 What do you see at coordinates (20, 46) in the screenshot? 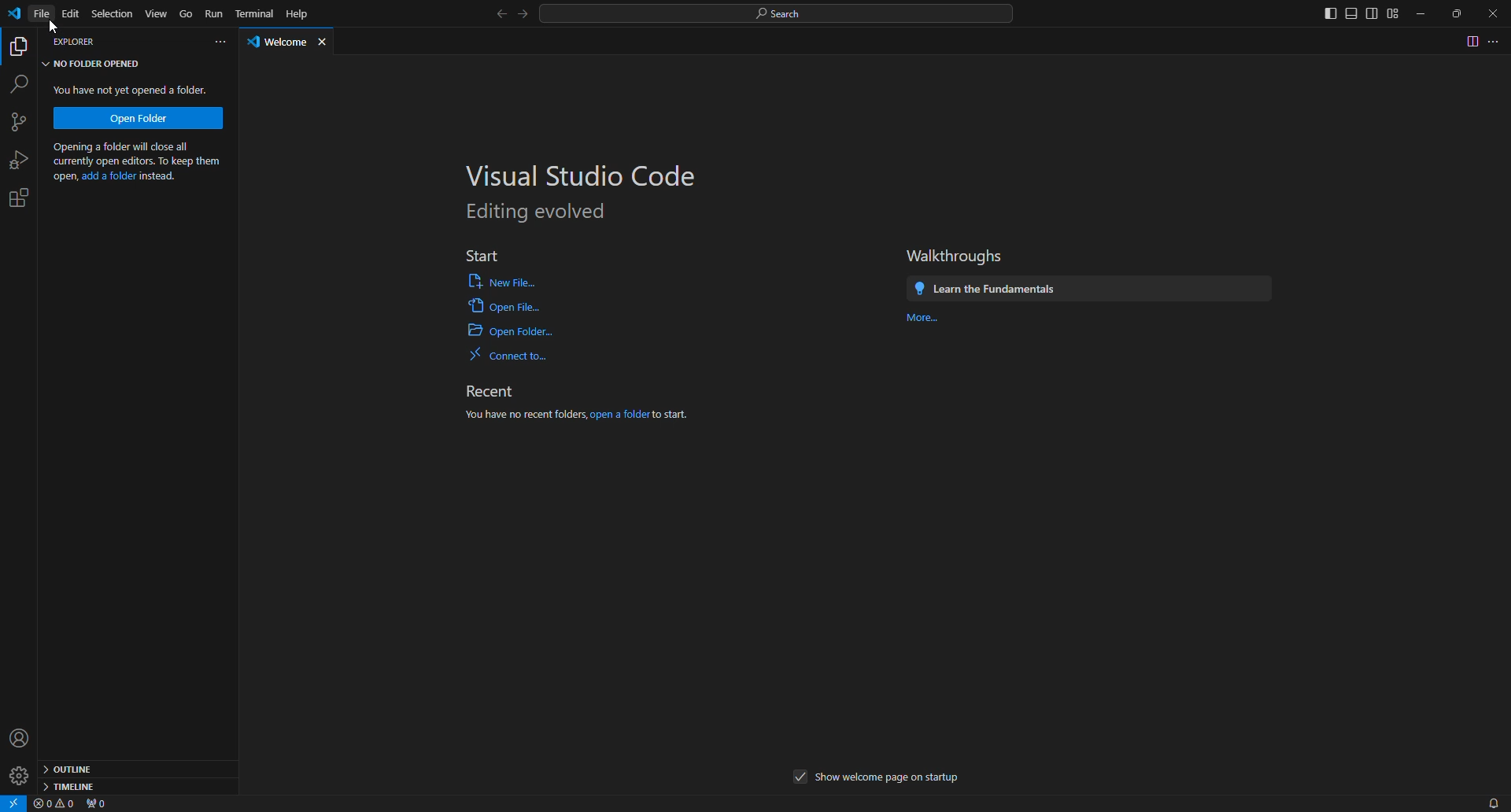
I see `explorer` at bounding box center [20, 46].